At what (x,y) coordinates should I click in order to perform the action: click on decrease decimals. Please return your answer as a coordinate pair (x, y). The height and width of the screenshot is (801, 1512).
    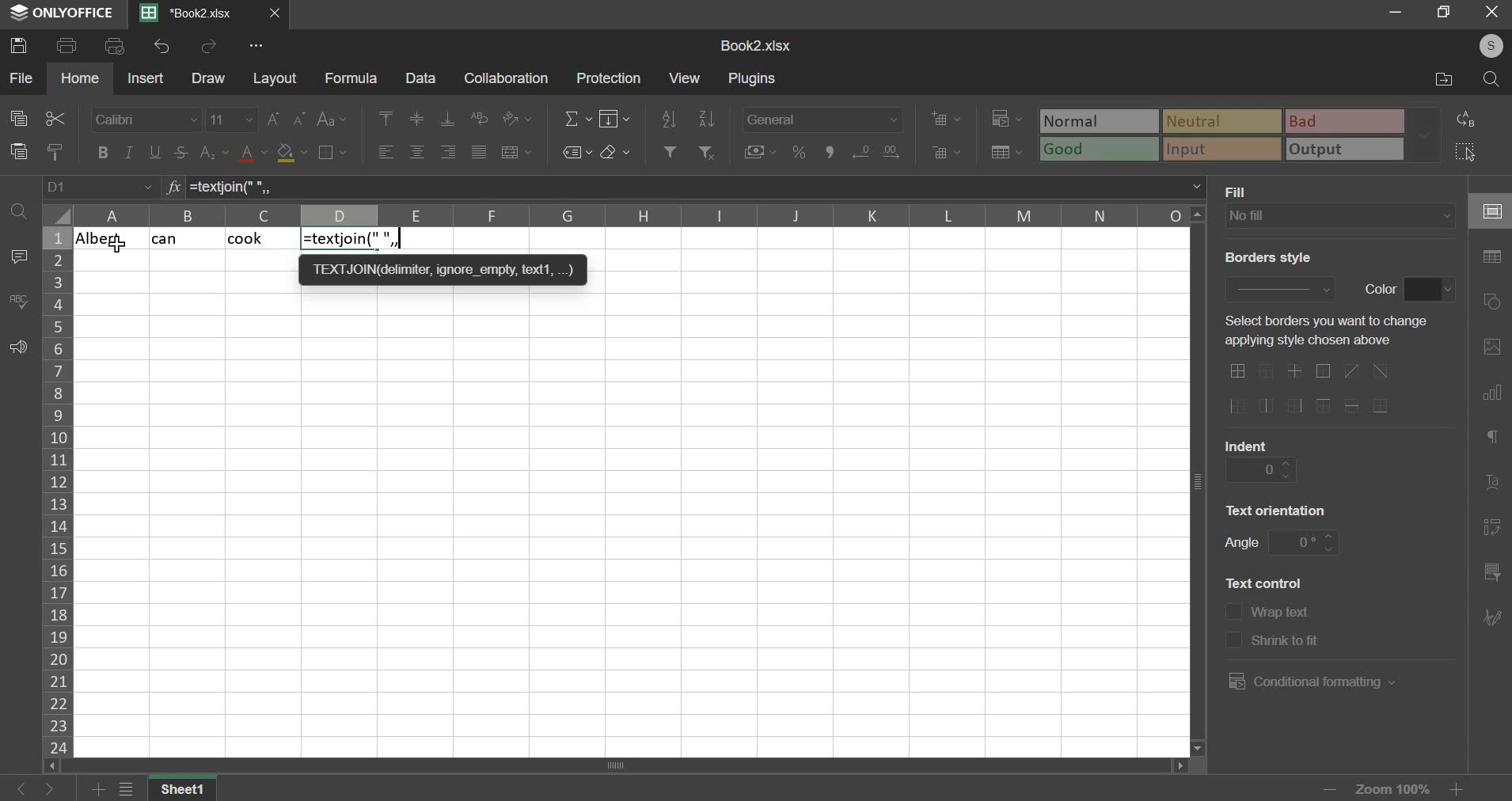
    Looking at the image, I should click on (891, 149).